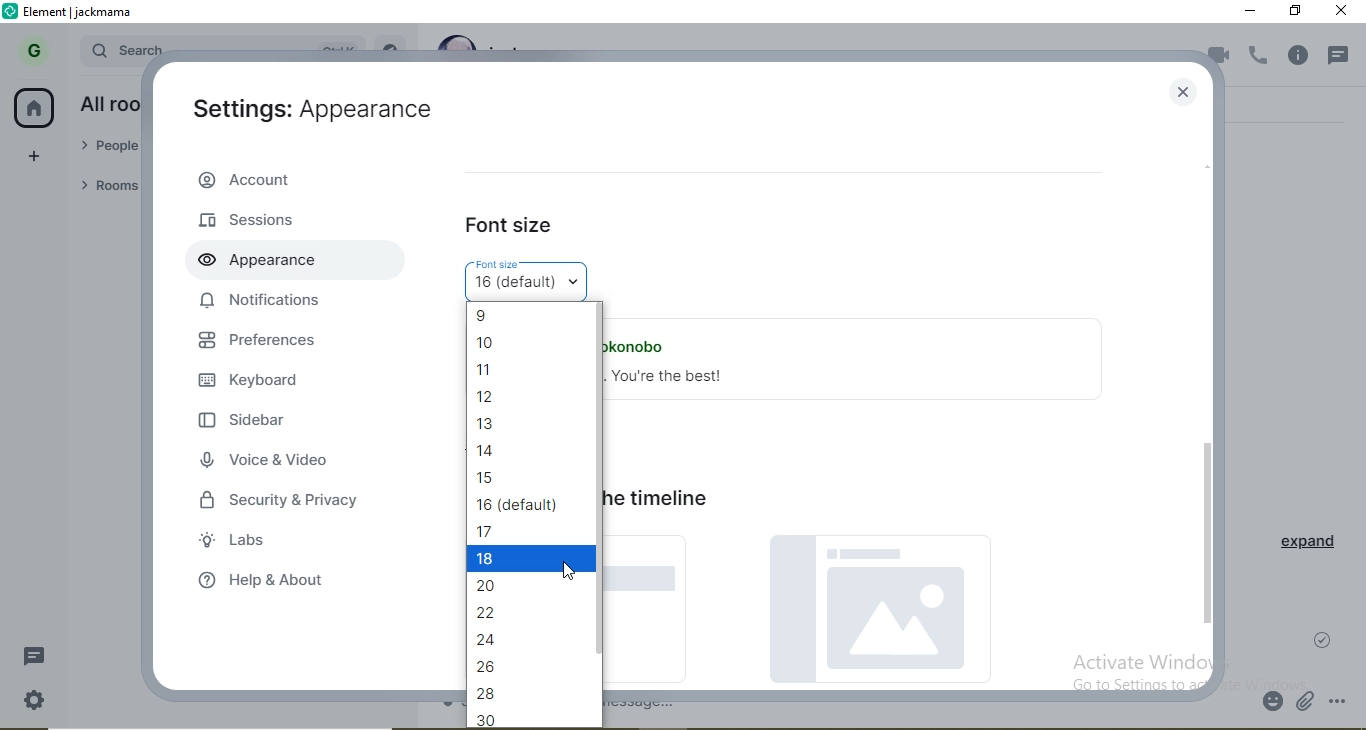 The width and height of the screenshot is (1366, 730). What do you see at coordinates (525, 719) in the screenshot?
I see `30` at bounding box center [525, 719].